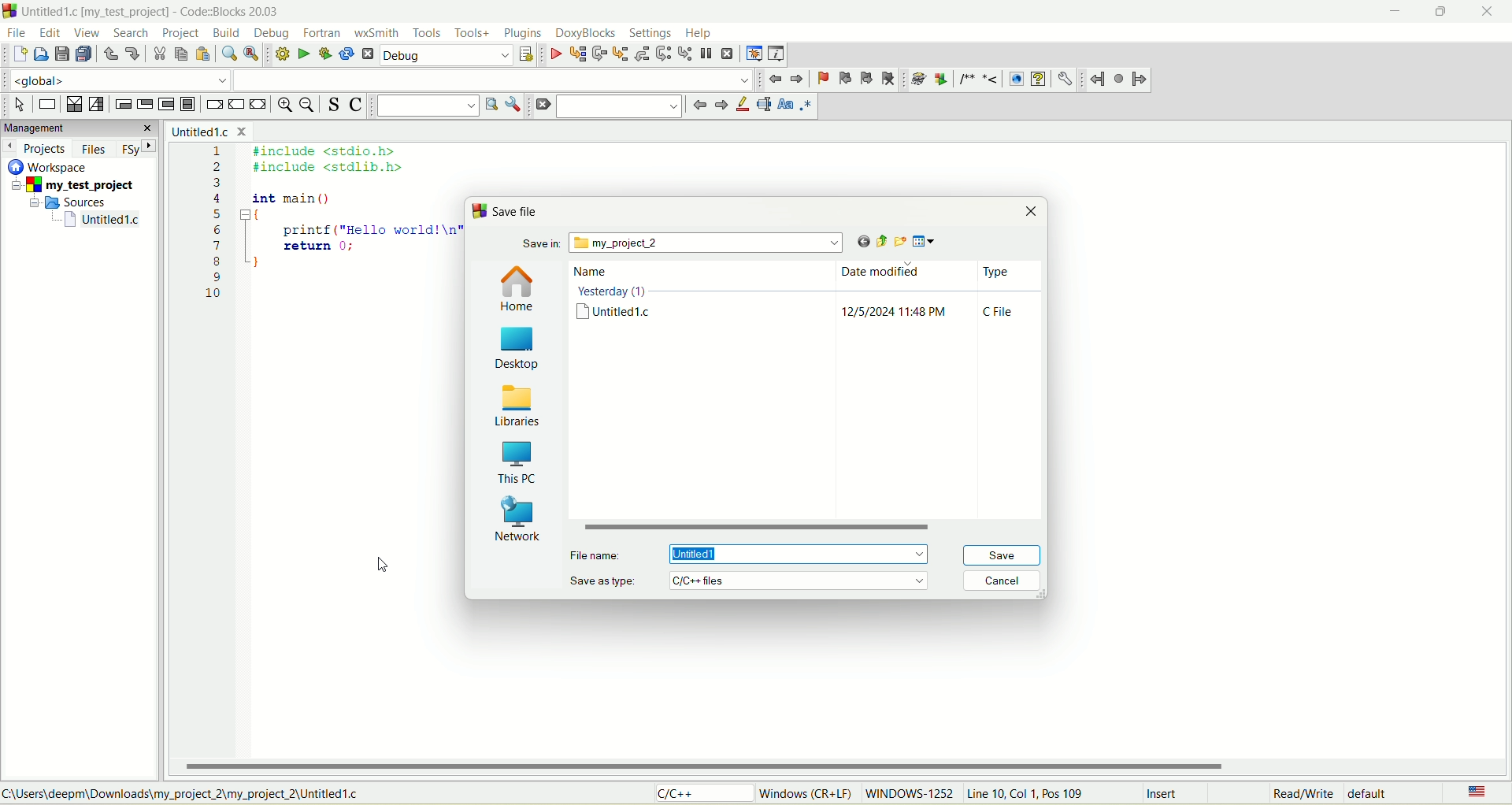  What do you see at coordinates (273, 33) in the screenshot?
I see `debug` at bounding box center [273, 33].